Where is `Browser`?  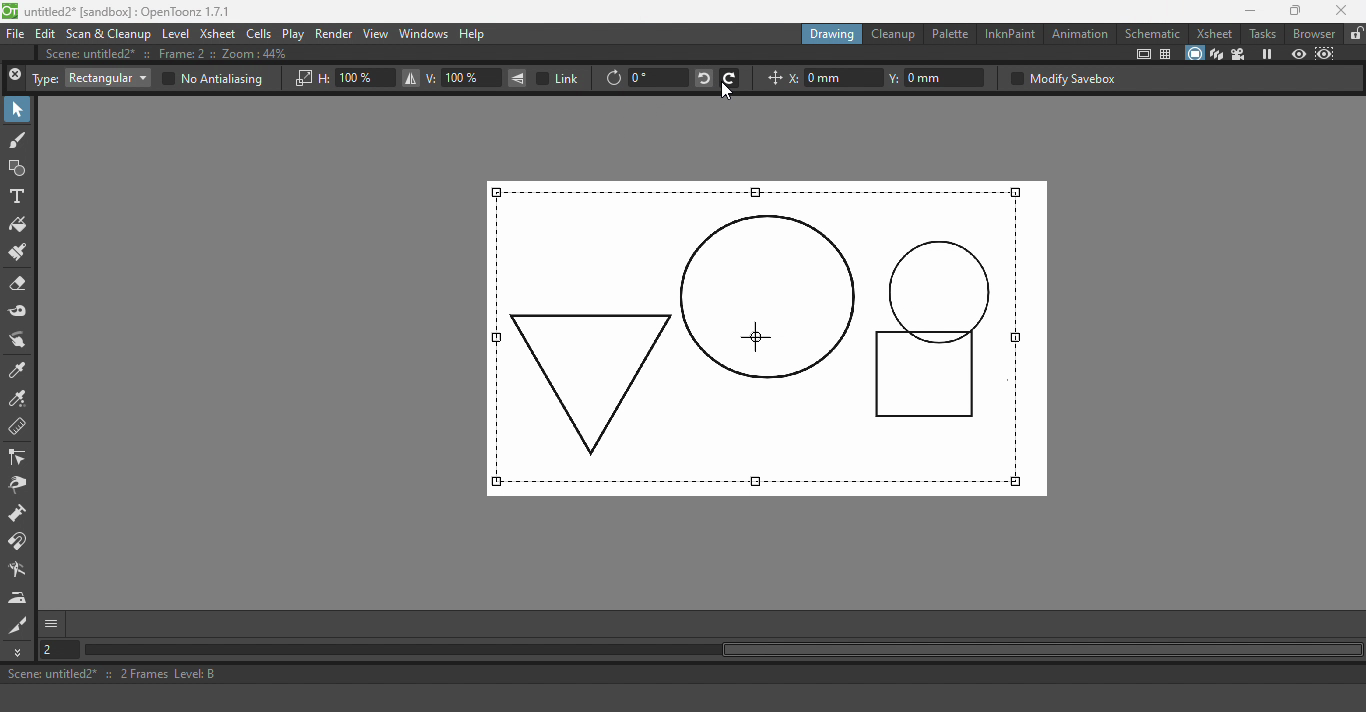 Browser is located at coordinates (1312, 33).